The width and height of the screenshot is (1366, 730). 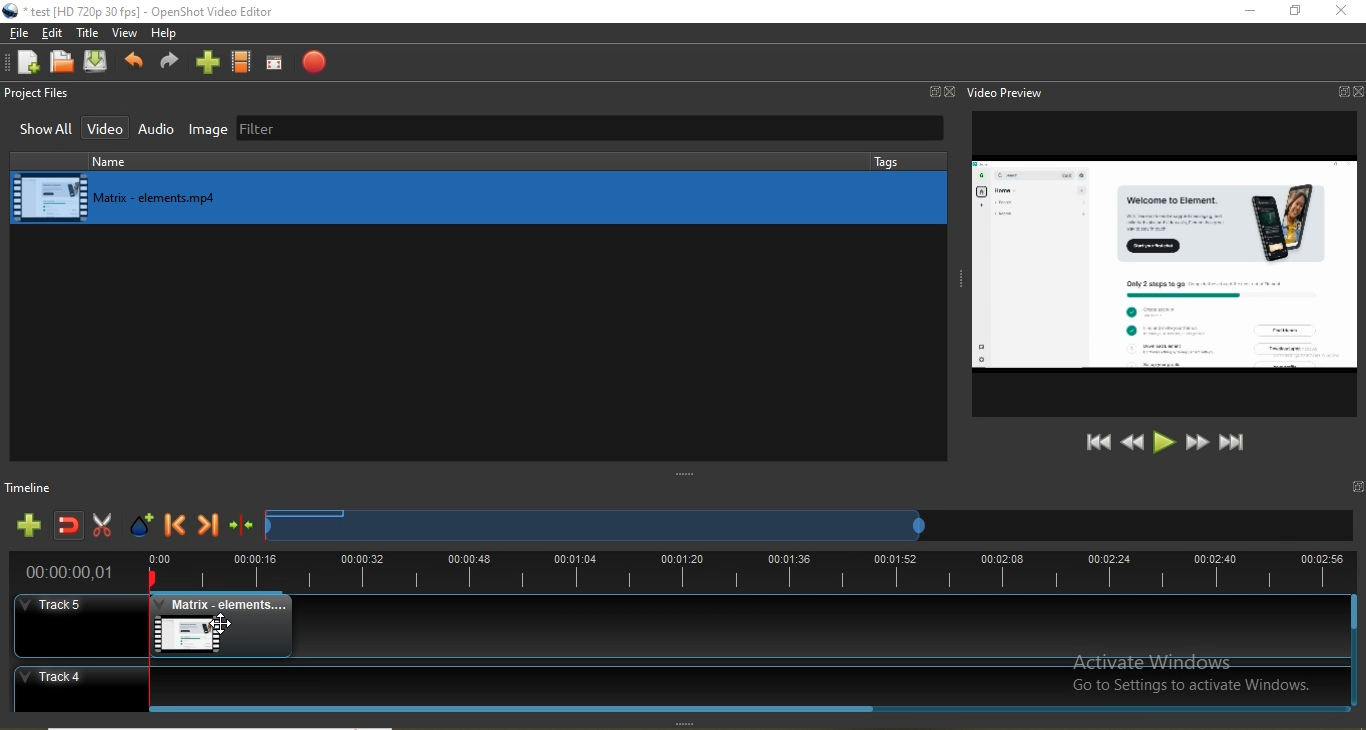 What do you see at coordinates (1341, 12) in the screenshot?
I see `close` at bounding box center [1341, 12].